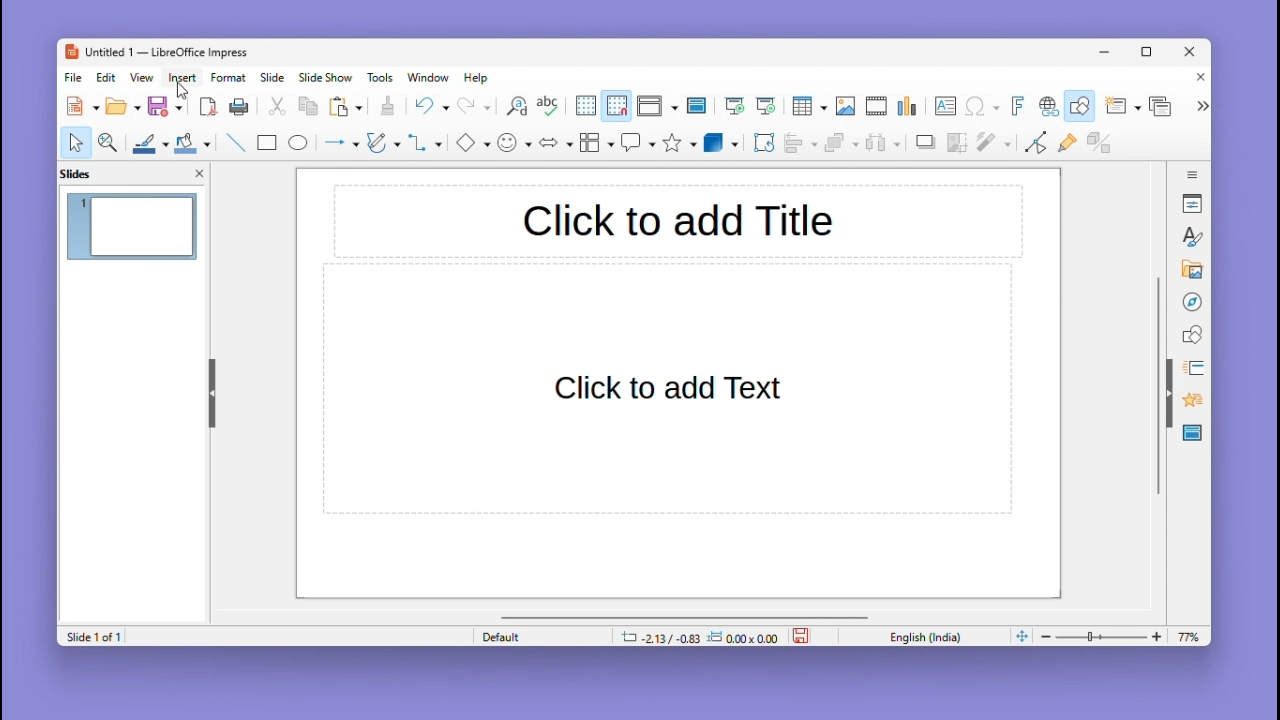 The height and width of the screenshot is (720, 1280). Describe the element at coordinates (190, 143) in the screenshot. I see `Fill colour` at that location.